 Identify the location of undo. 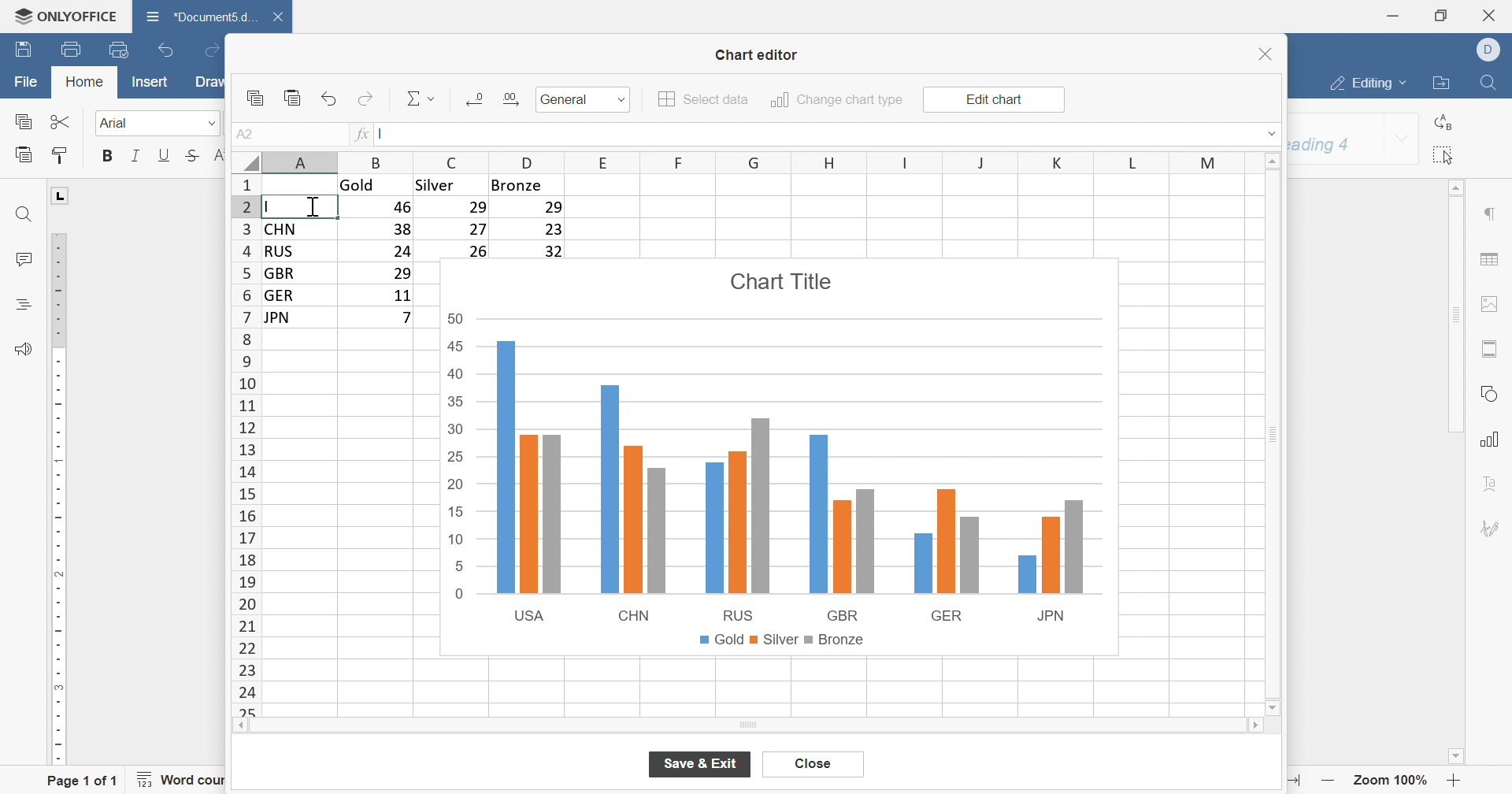
(331, 98).